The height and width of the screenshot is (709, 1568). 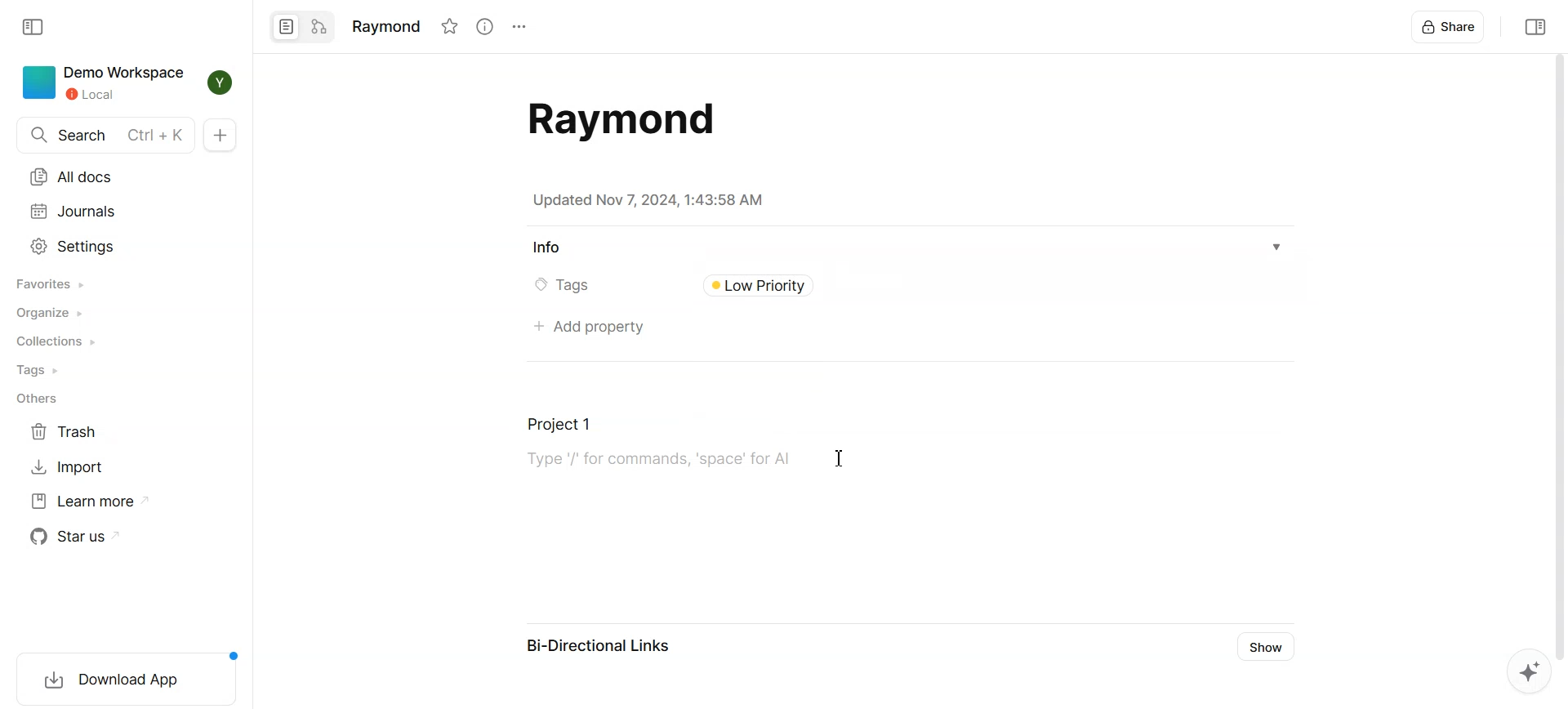 What do you see at coordinates (651, 449) in the screenshot?
I see `Document task` at bounding box center [651, 449].